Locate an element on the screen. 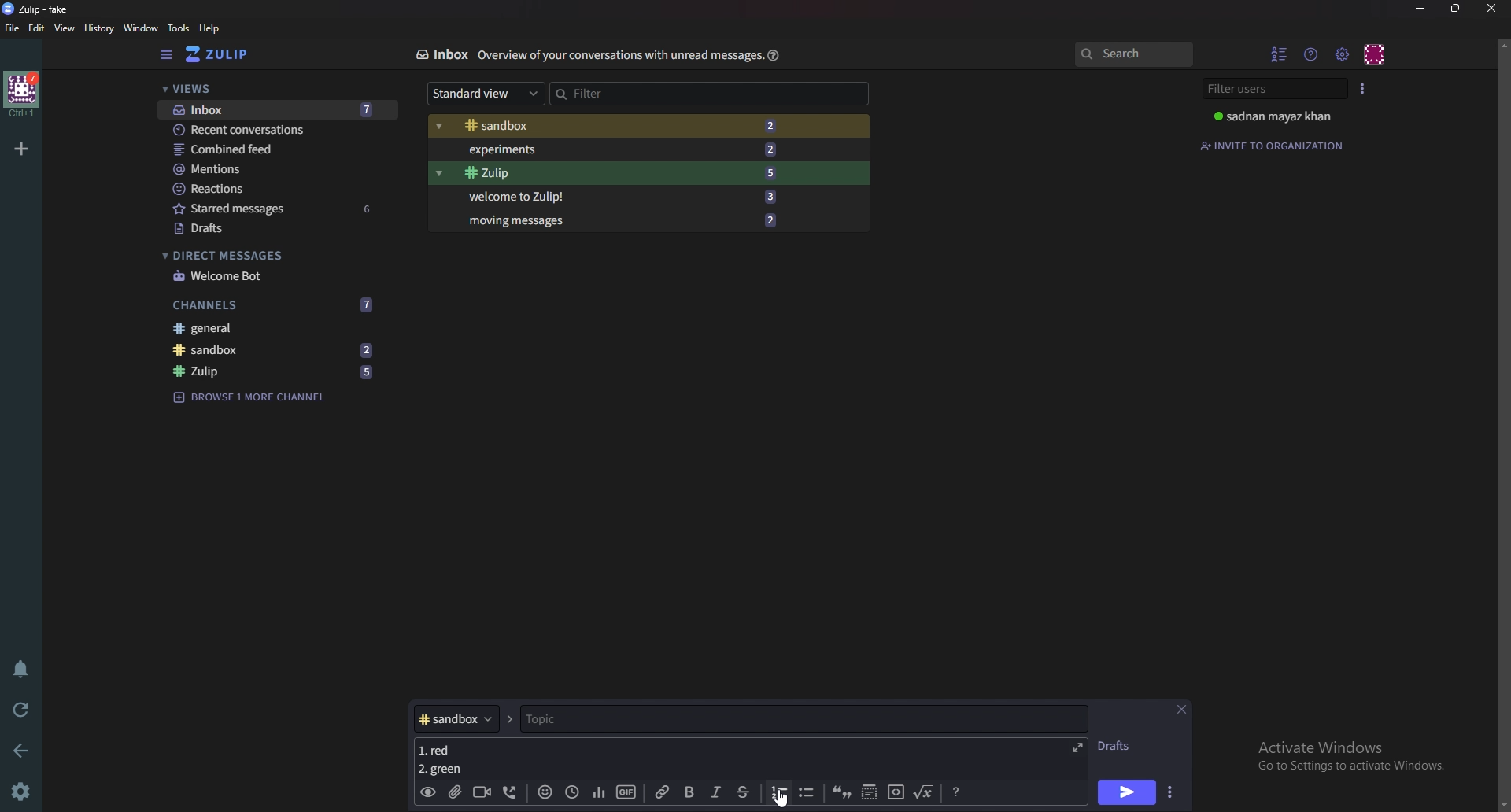 The height and width of the screenshot is (812, 1511). bold is located at coordinates (688, 792).